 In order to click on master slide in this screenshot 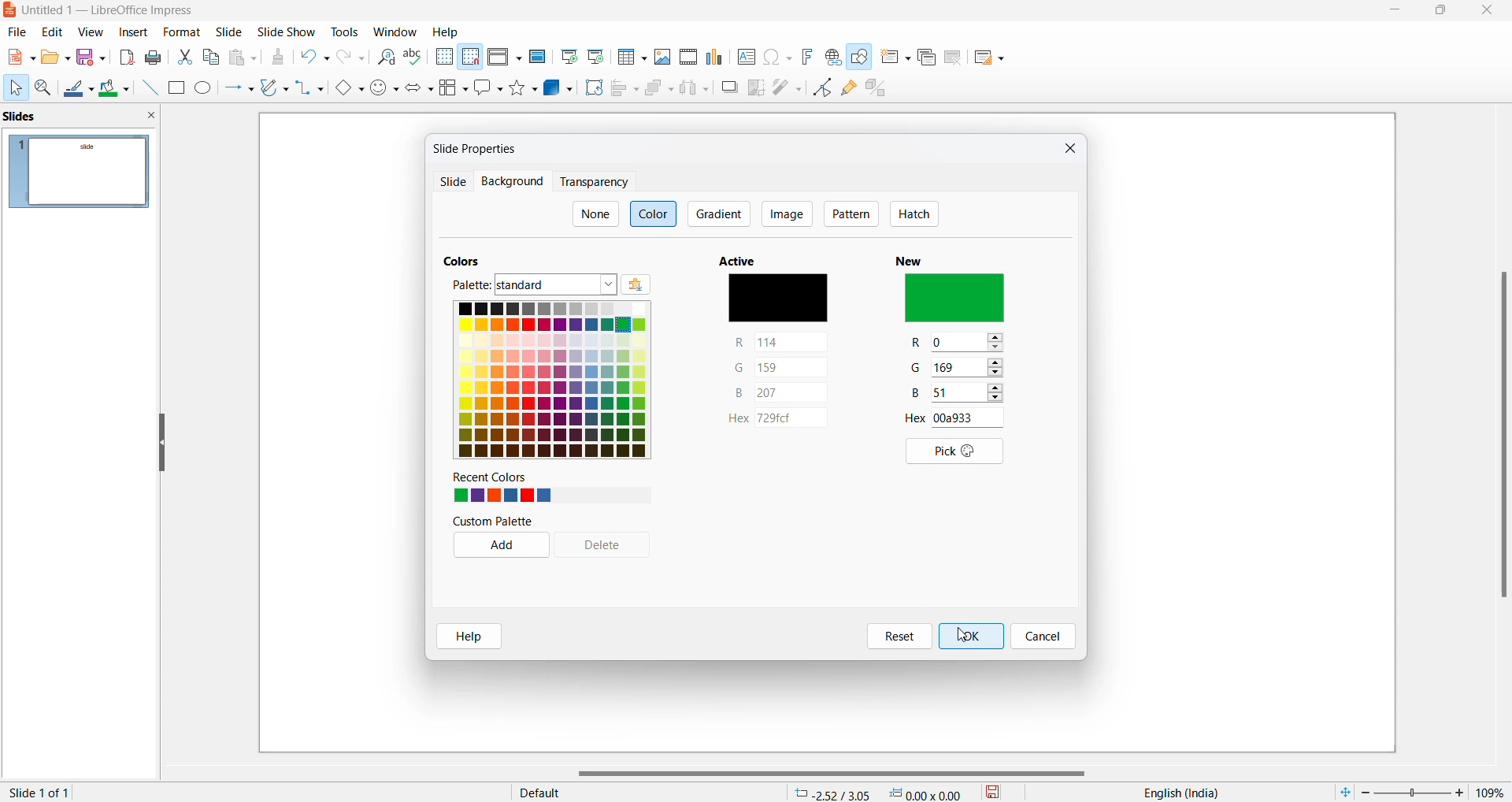, I will do `click(537, 56)`.